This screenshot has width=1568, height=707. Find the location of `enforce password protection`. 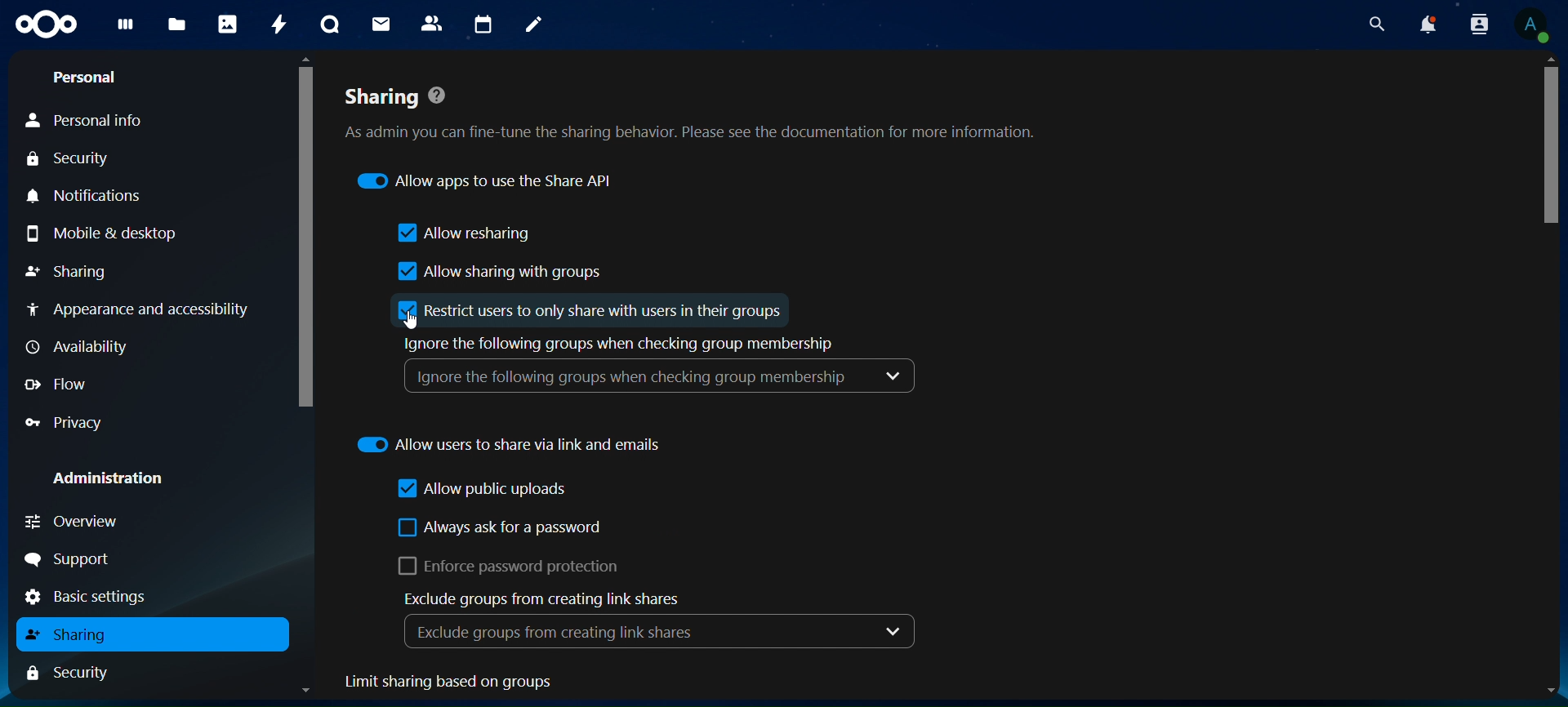

enforce password protection is located at coordinates (519, 568).